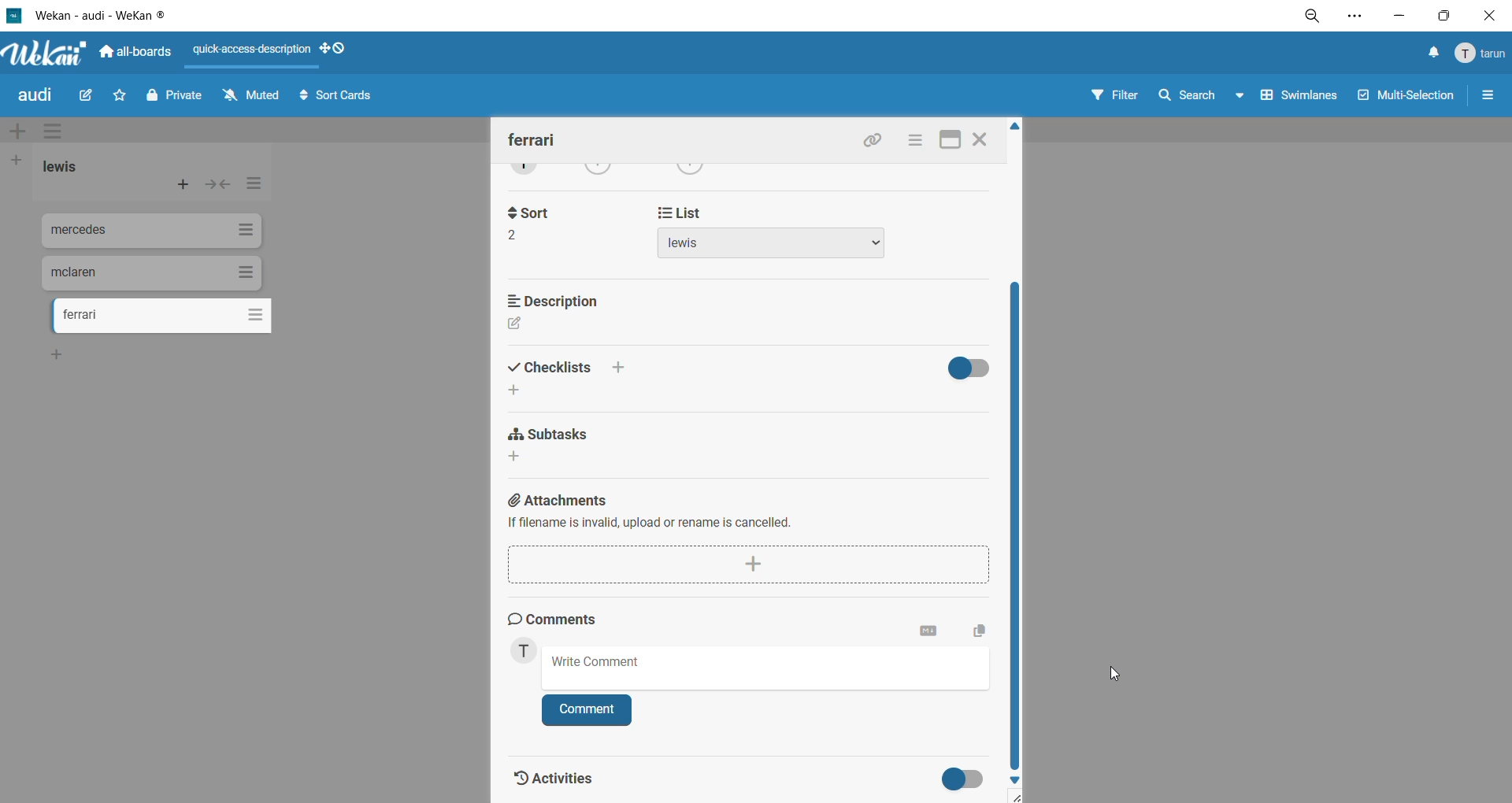  Describe the element at coordinates (1363, 16) in the screenshot. I see `settings` at that location.